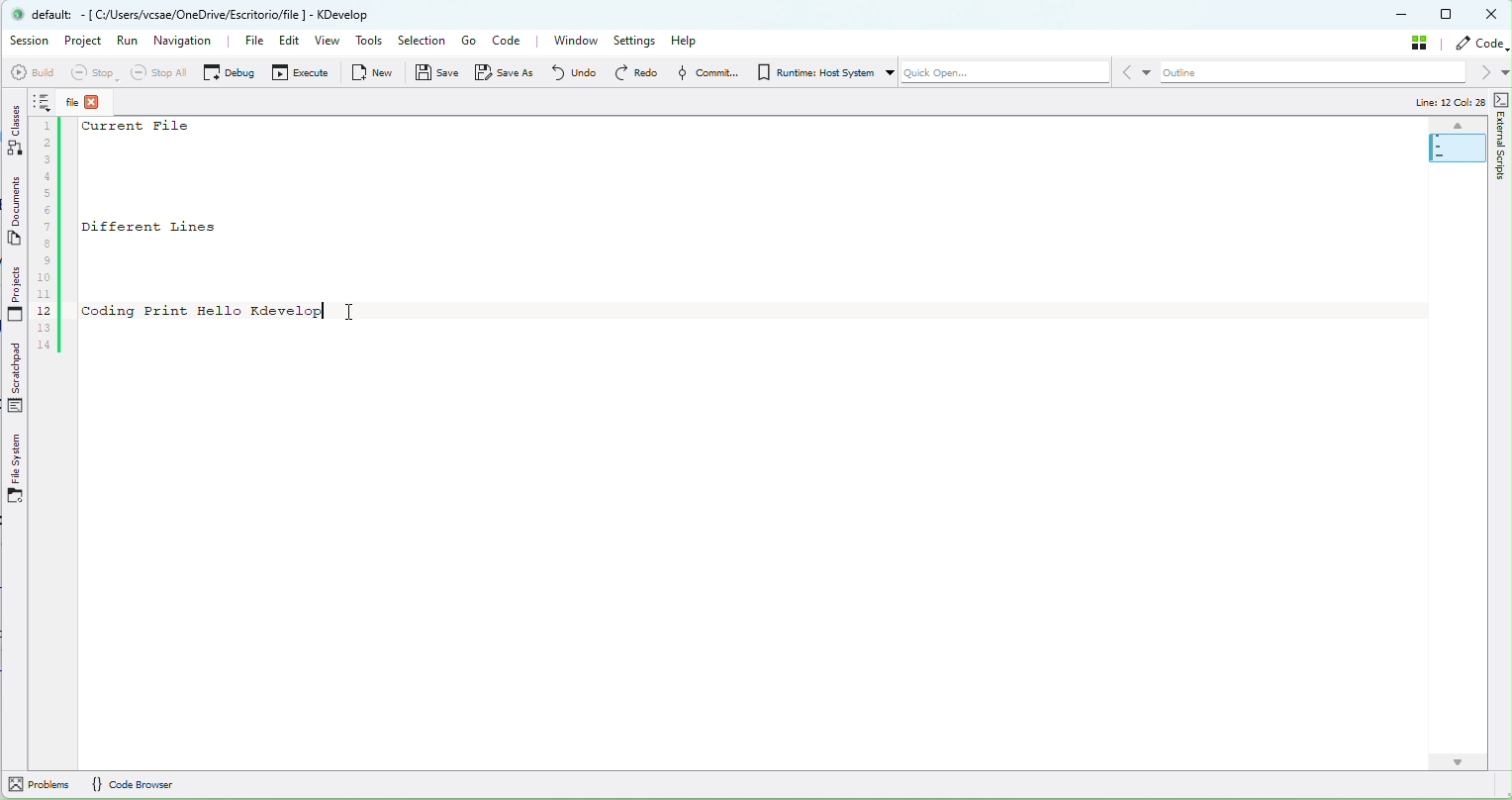  I want to click on redo, so click(635, 72).